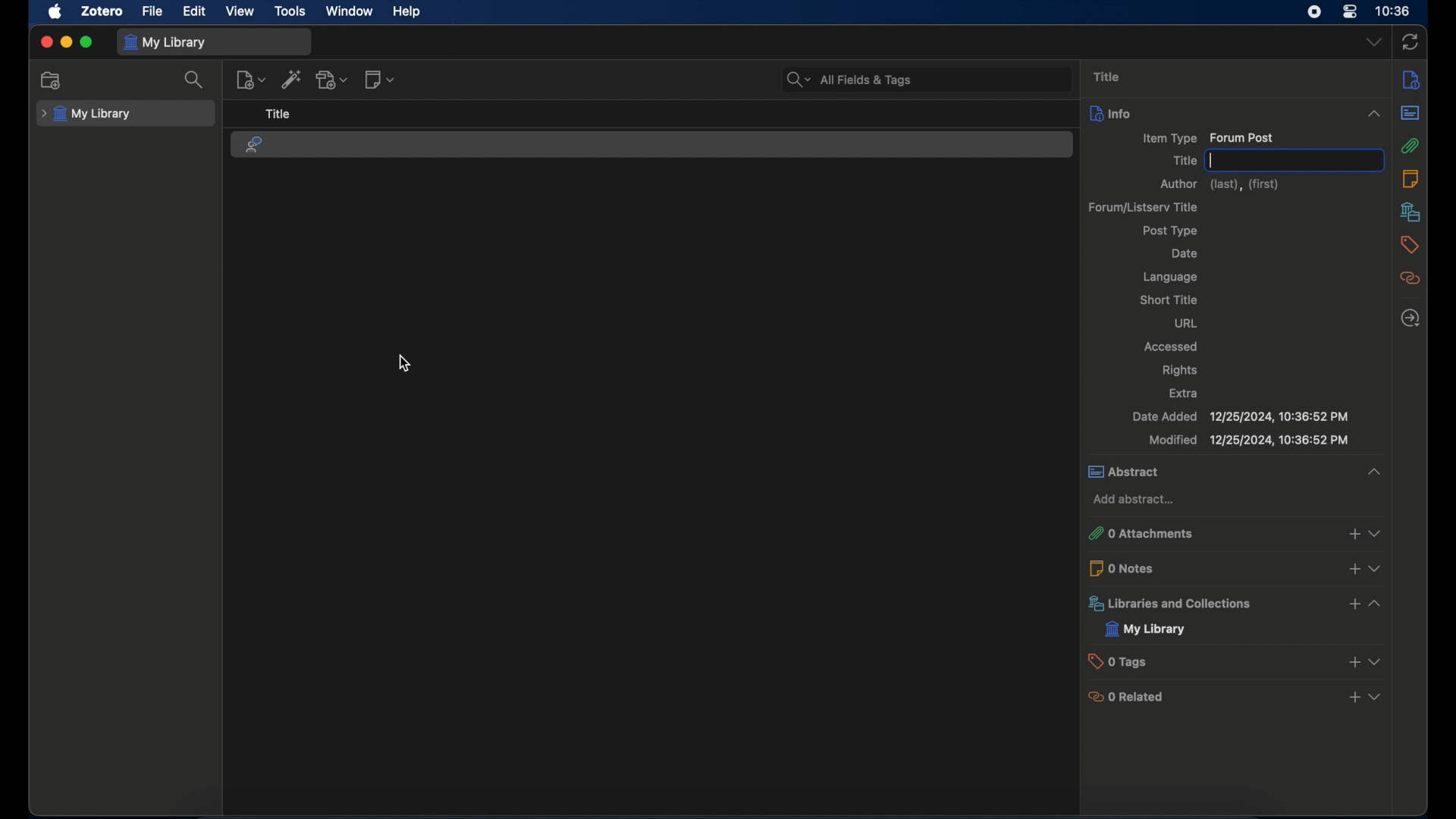 The image size is (1456, 819). Describe the element at coordinates (1180, 371) in the screenshot. I see `rights` at that location.